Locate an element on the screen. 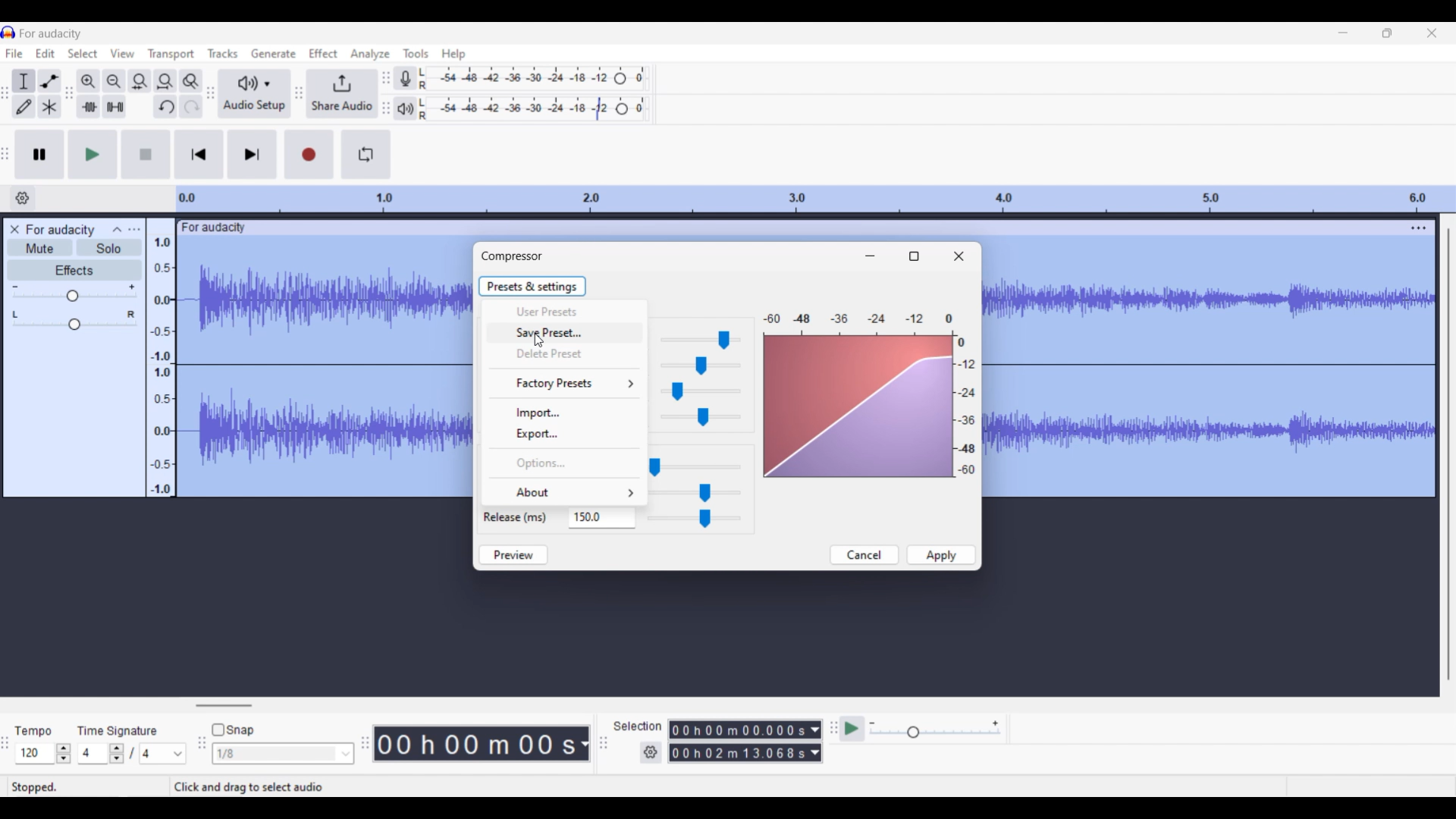  Compressor is located at coordinates (512, 256).